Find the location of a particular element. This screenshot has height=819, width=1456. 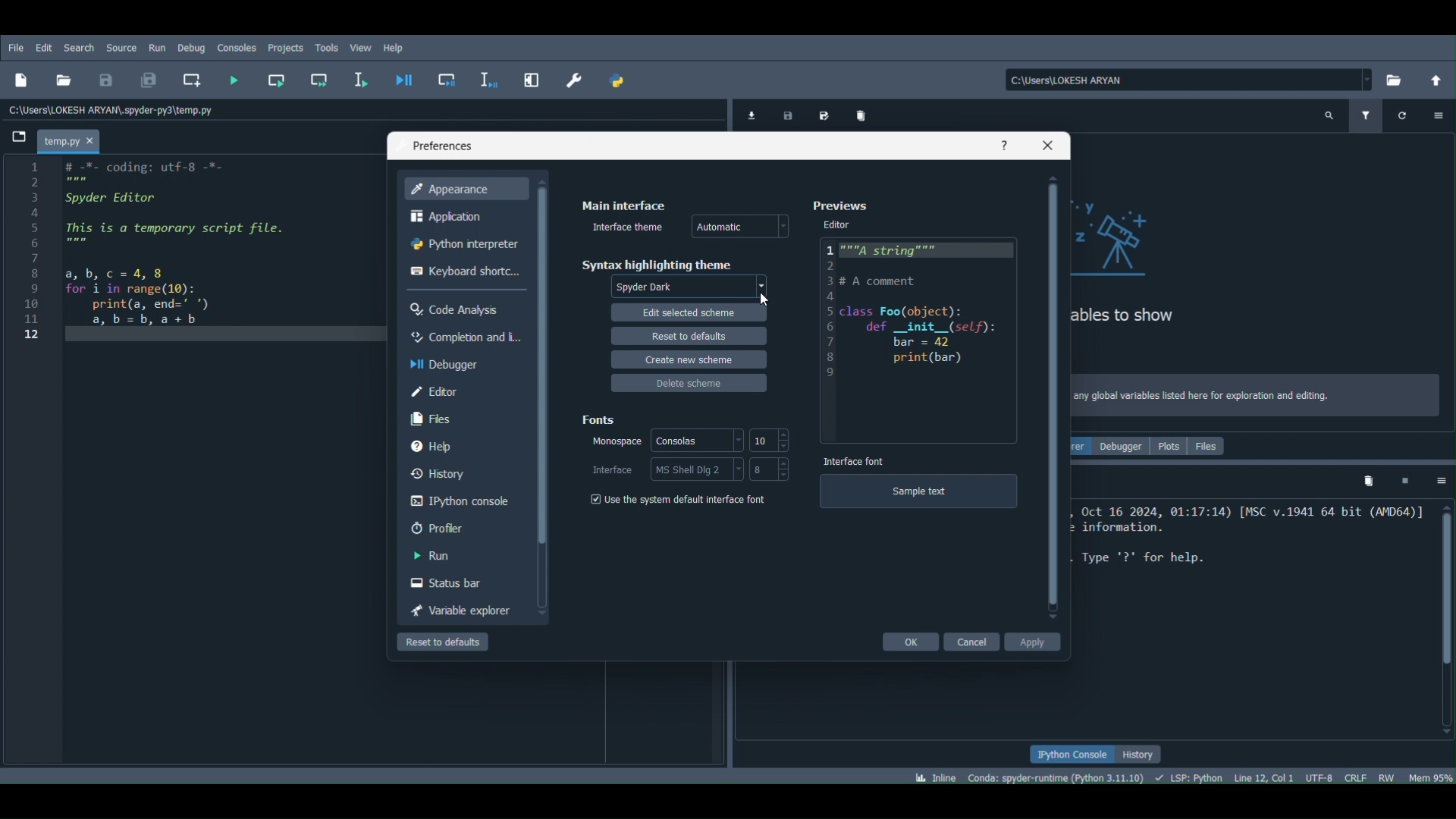

Preferences is located at coordinates (838, 206).